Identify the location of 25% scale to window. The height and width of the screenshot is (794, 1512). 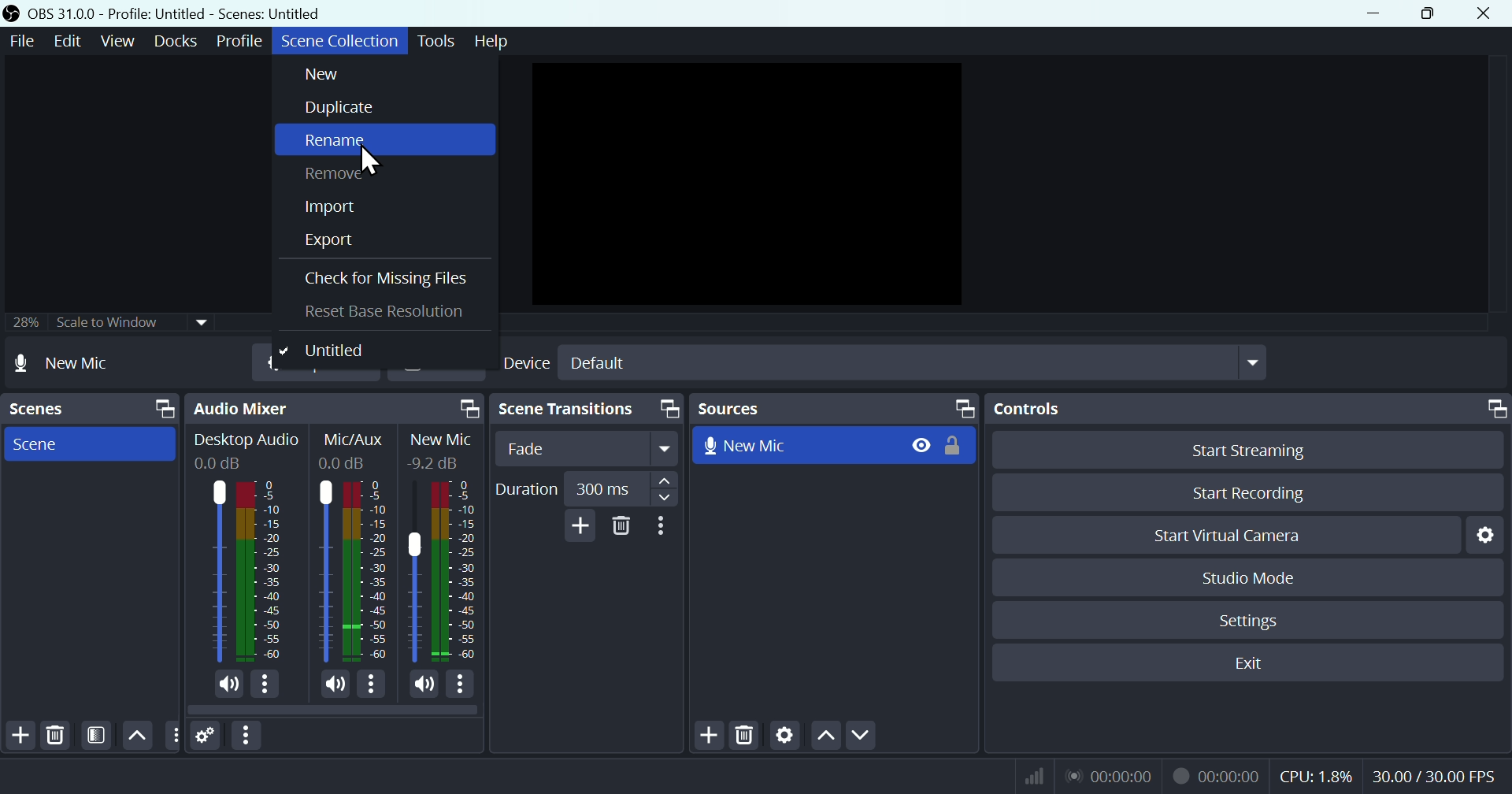
(104, 325).